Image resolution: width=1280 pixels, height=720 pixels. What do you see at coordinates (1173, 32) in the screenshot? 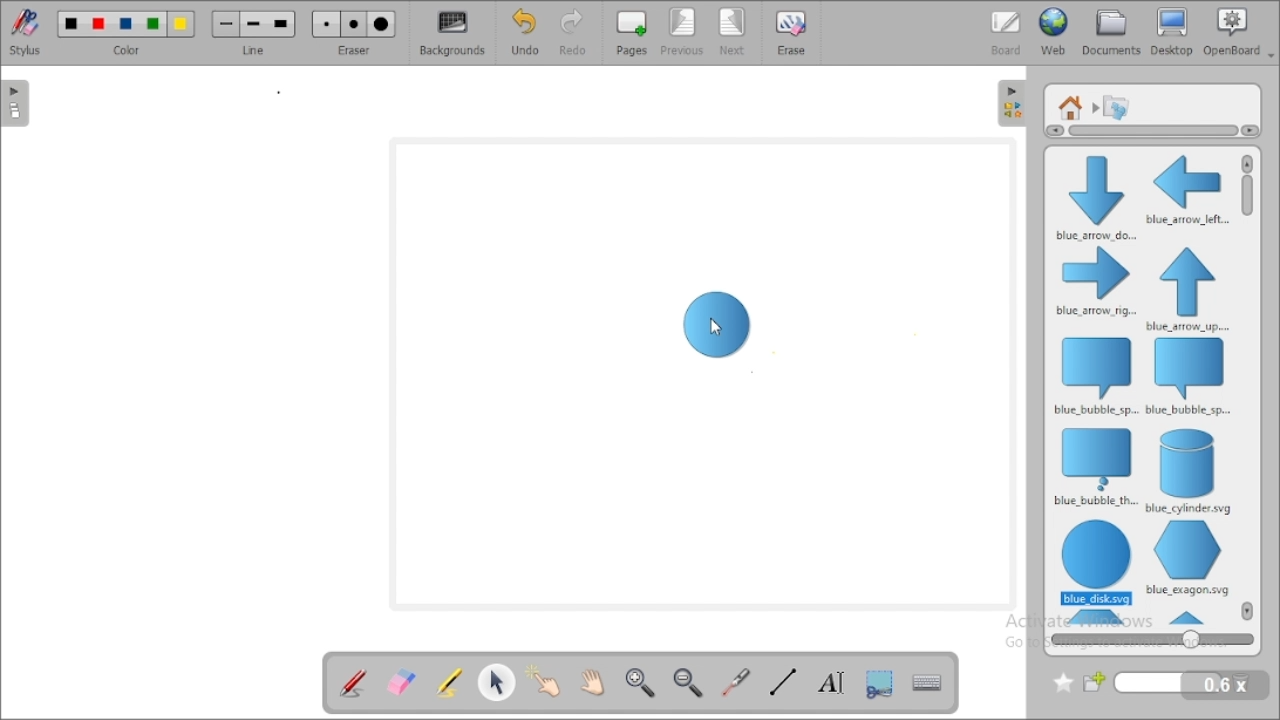
I see `desktop` at bounding box center [1173, 32].